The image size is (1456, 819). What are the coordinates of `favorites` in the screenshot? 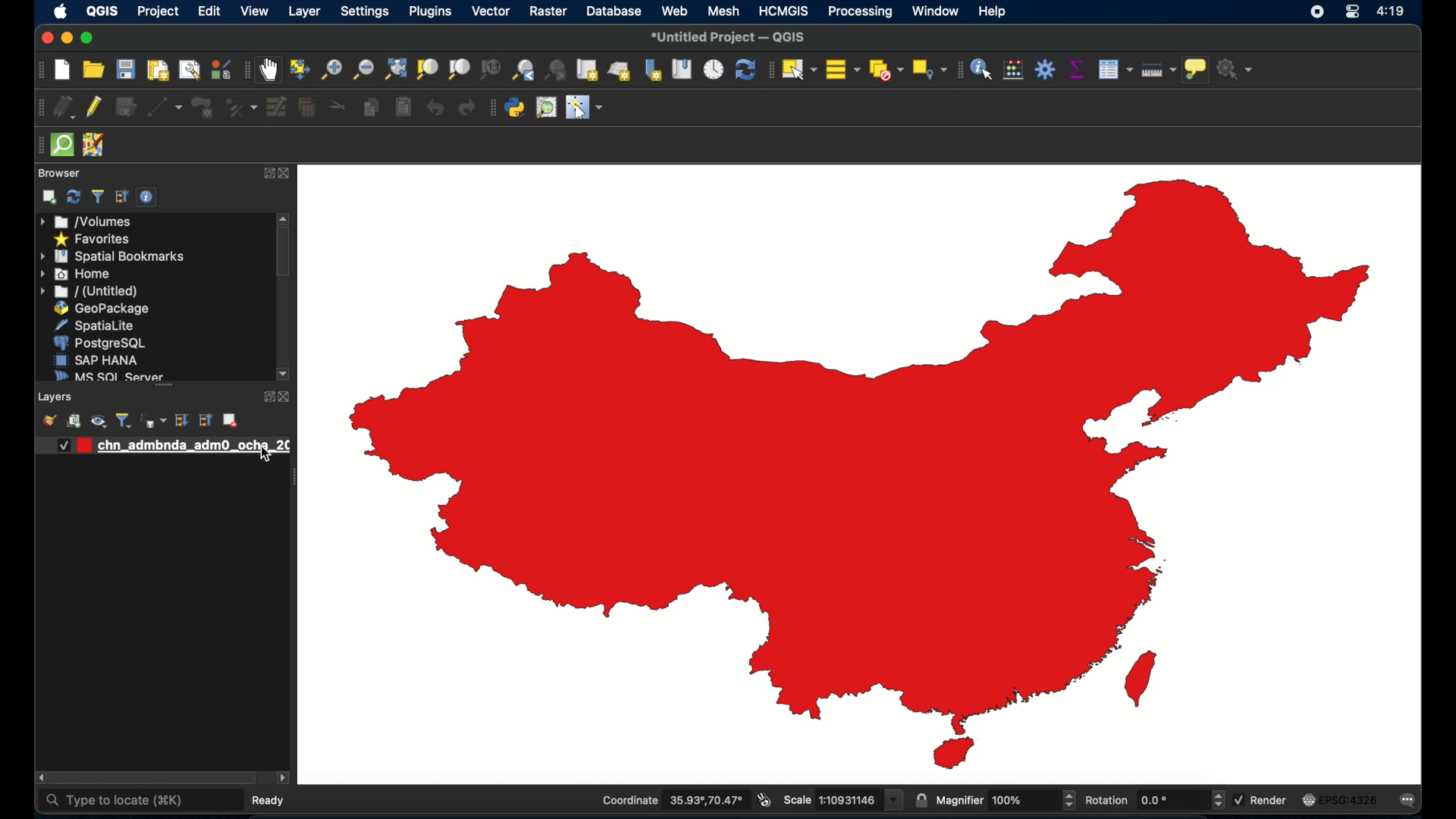 It's located at (91, 240).